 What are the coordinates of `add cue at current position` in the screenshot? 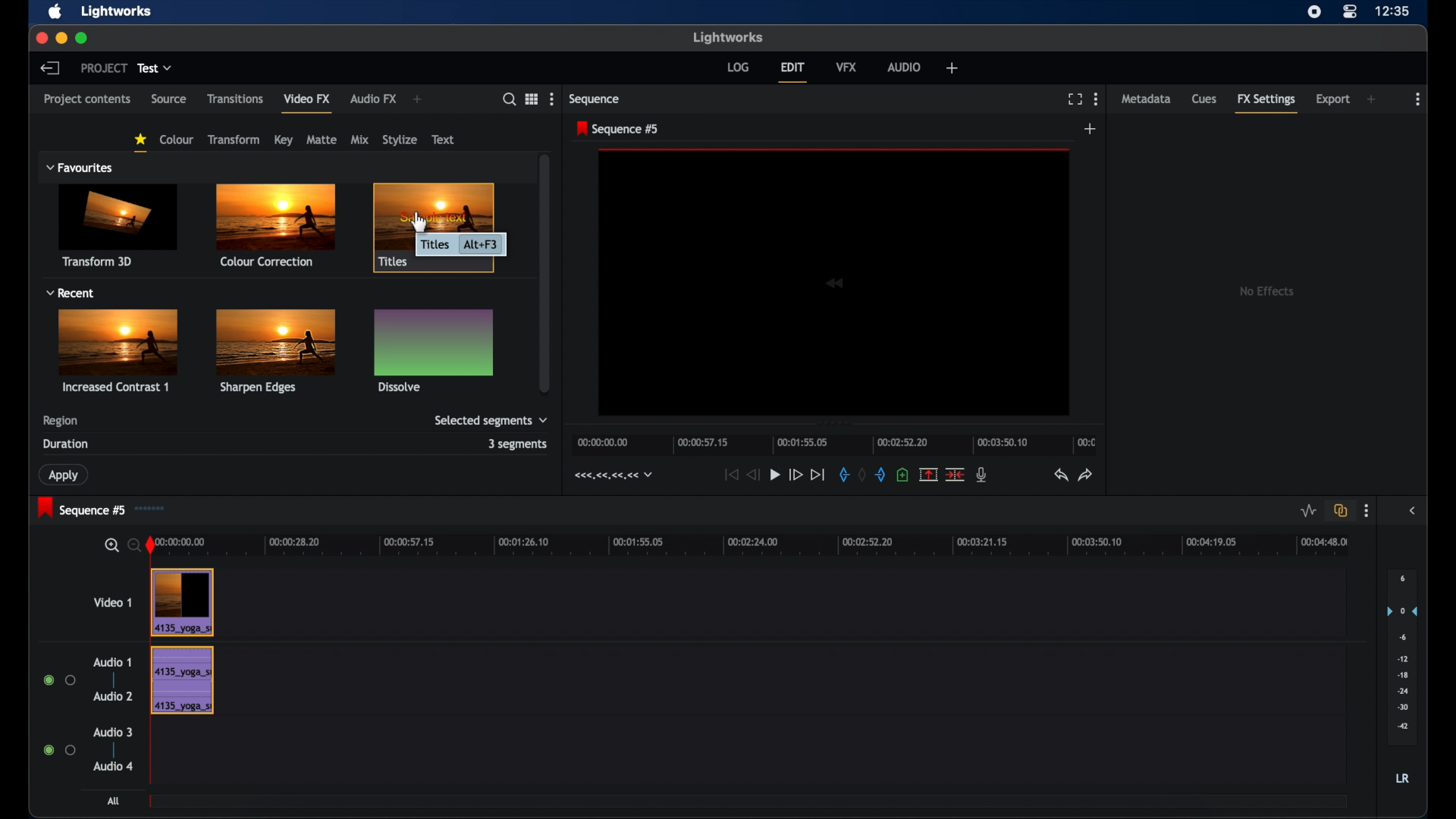 It's located at (904, 475).